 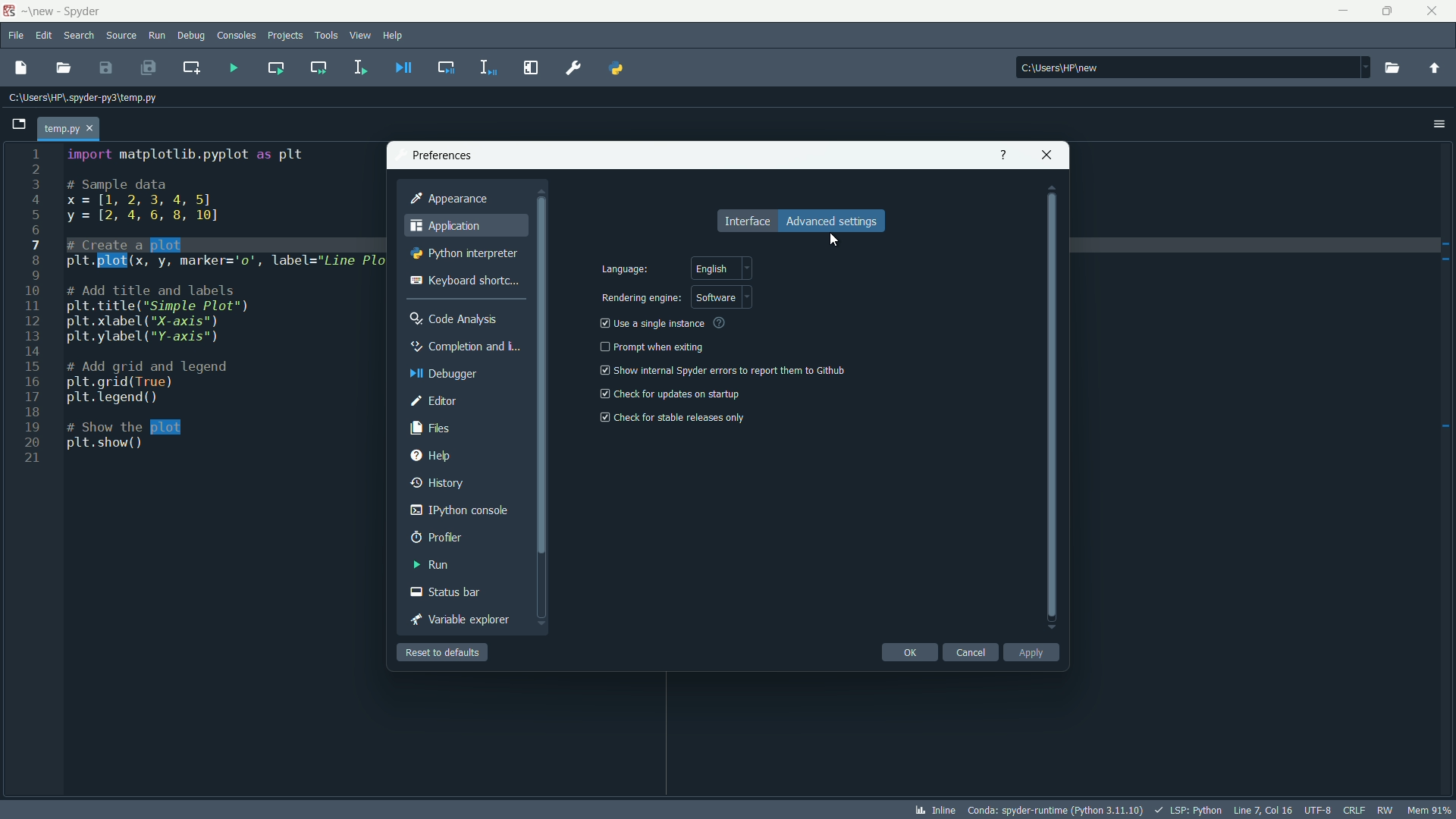 What do you see at coordinates (275, 67) in the screenshot?
I see `run current cell` at bounding box center [275, 67].